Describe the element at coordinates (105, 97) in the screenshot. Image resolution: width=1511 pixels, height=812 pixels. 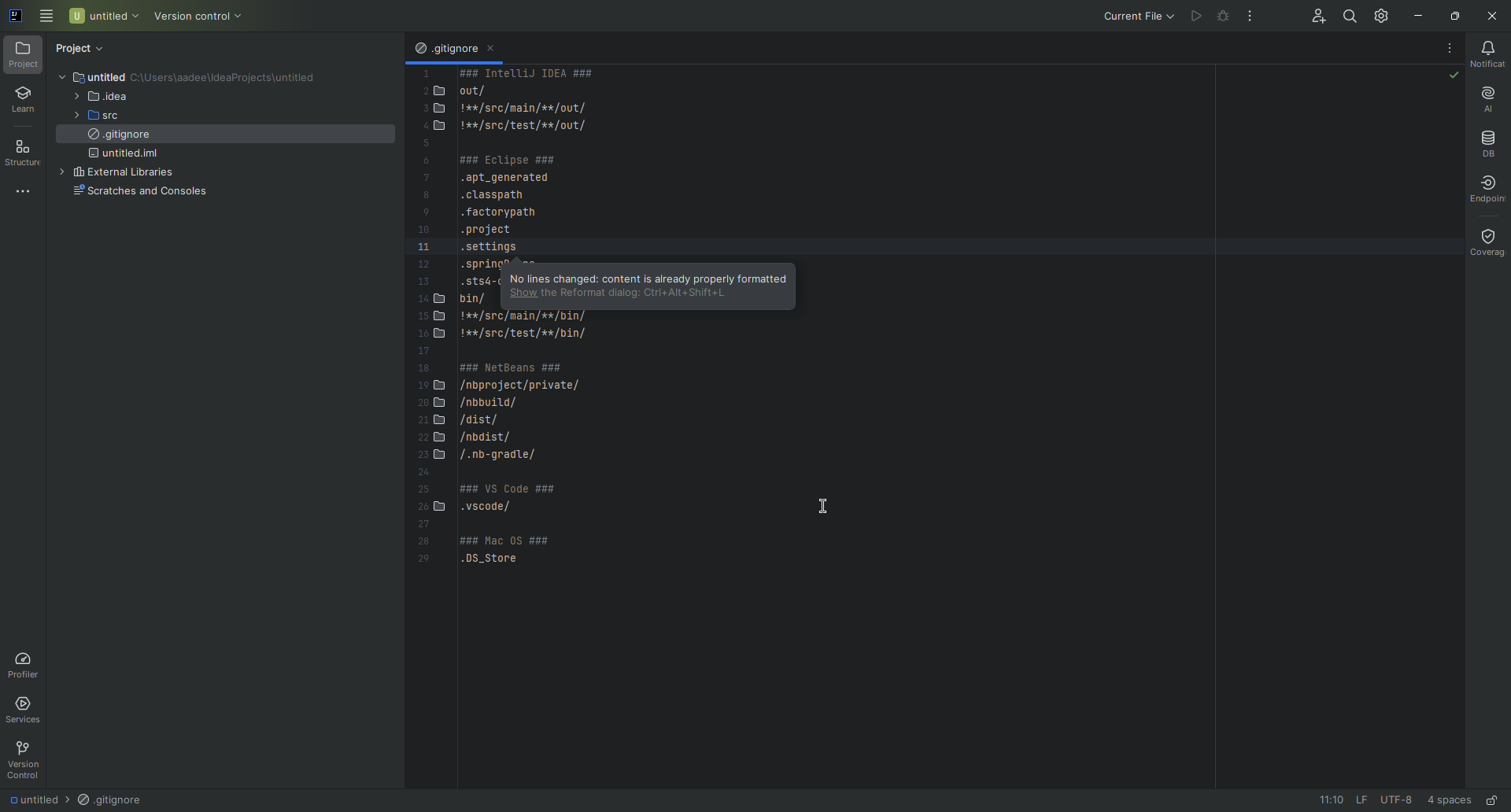
I see `.idea` at that location.